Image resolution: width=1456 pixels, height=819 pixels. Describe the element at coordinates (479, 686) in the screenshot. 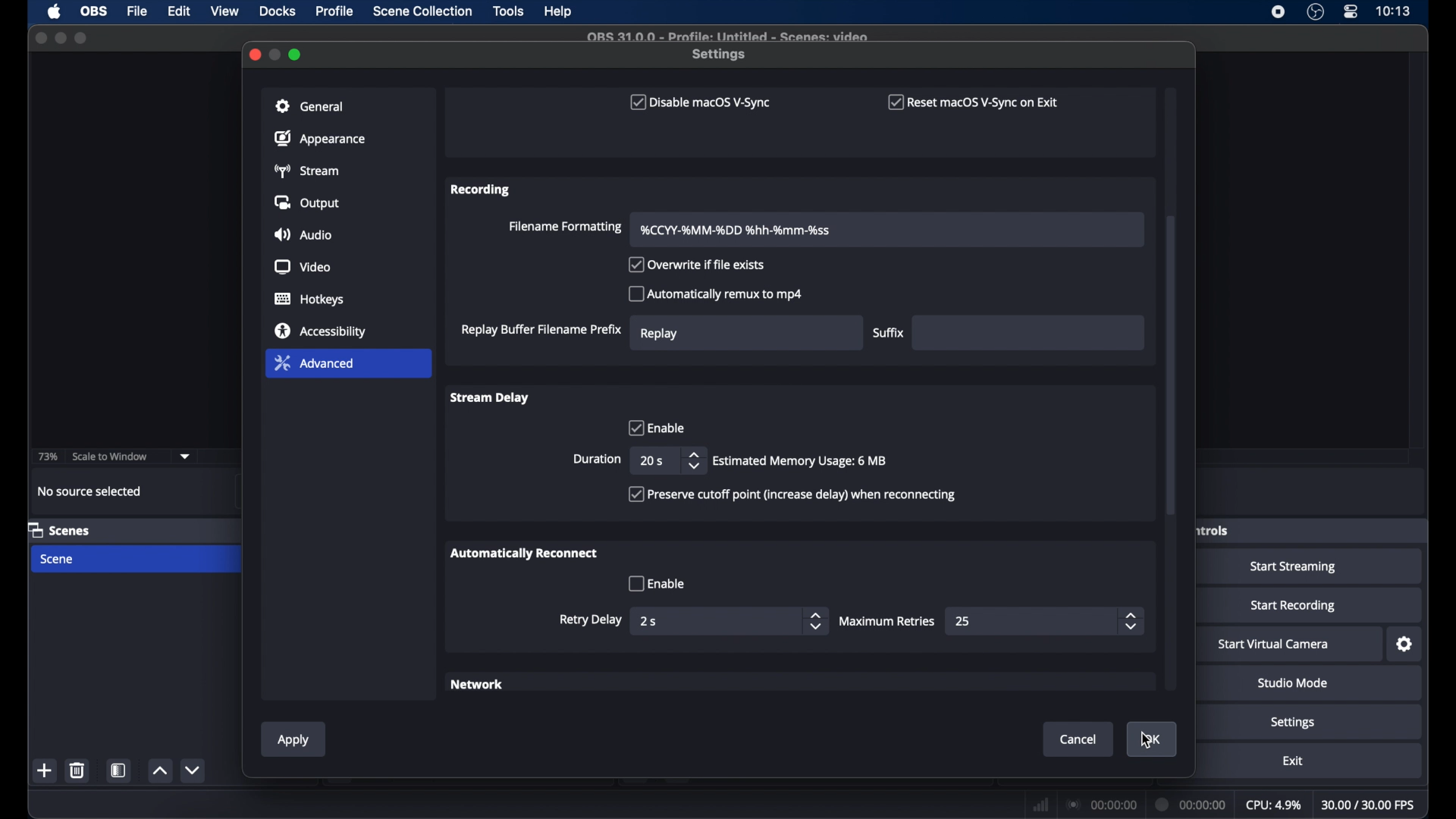

I see `network` at that location.